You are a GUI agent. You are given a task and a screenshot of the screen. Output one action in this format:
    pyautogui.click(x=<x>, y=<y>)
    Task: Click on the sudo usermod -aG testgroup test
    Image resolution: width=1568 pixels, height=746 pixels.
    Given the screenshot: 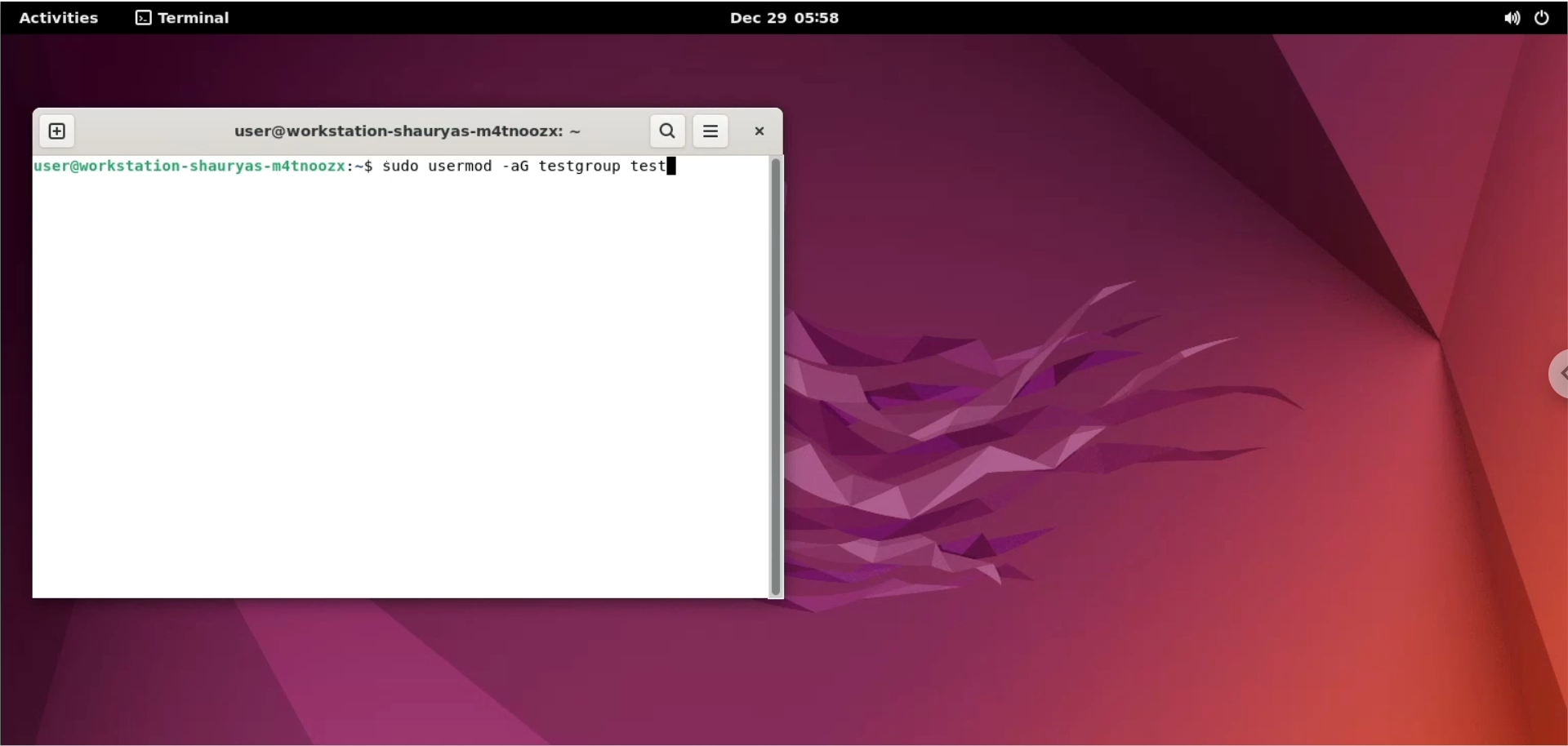 What is the action you would take?
    pyautogui.click(x=519, y=167)
    